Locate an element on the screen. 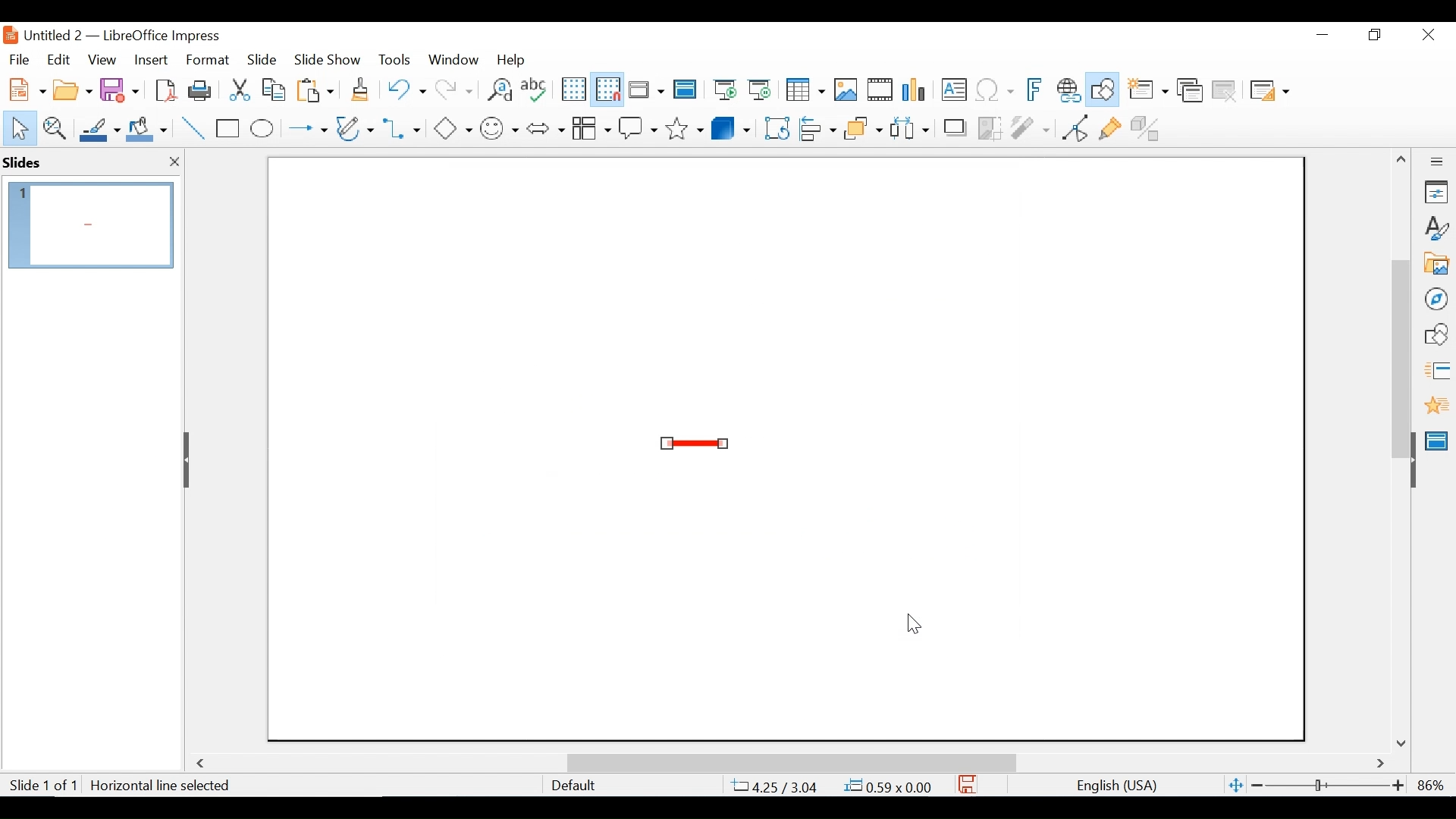 This screenshot has height=819, width=1456. Align Objects is located at coordinates (816, 127).